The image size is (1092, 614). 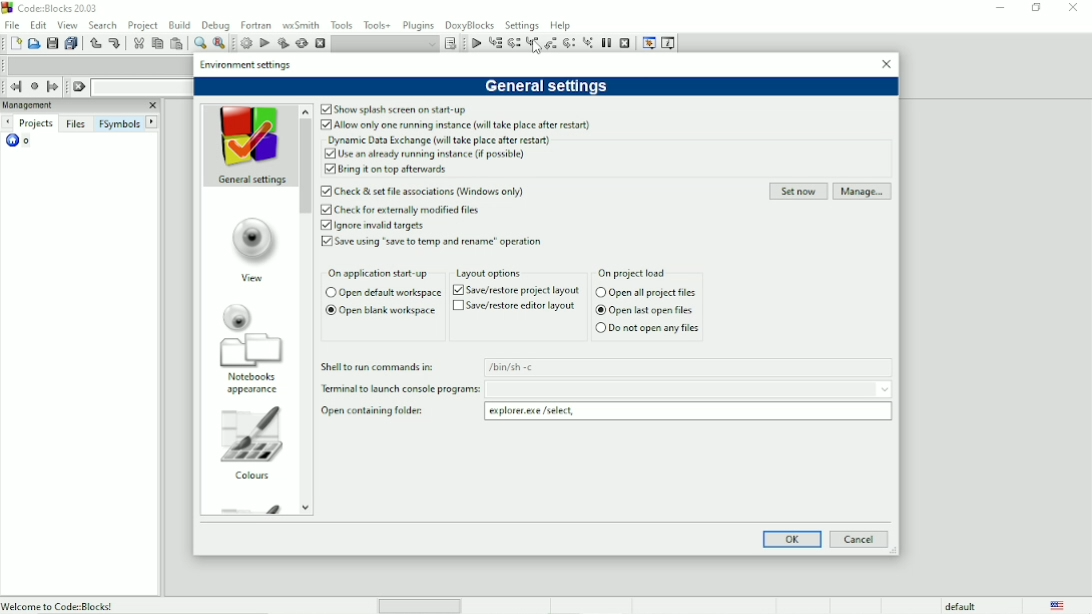 I want to click on View, so click(x=68, y=25).